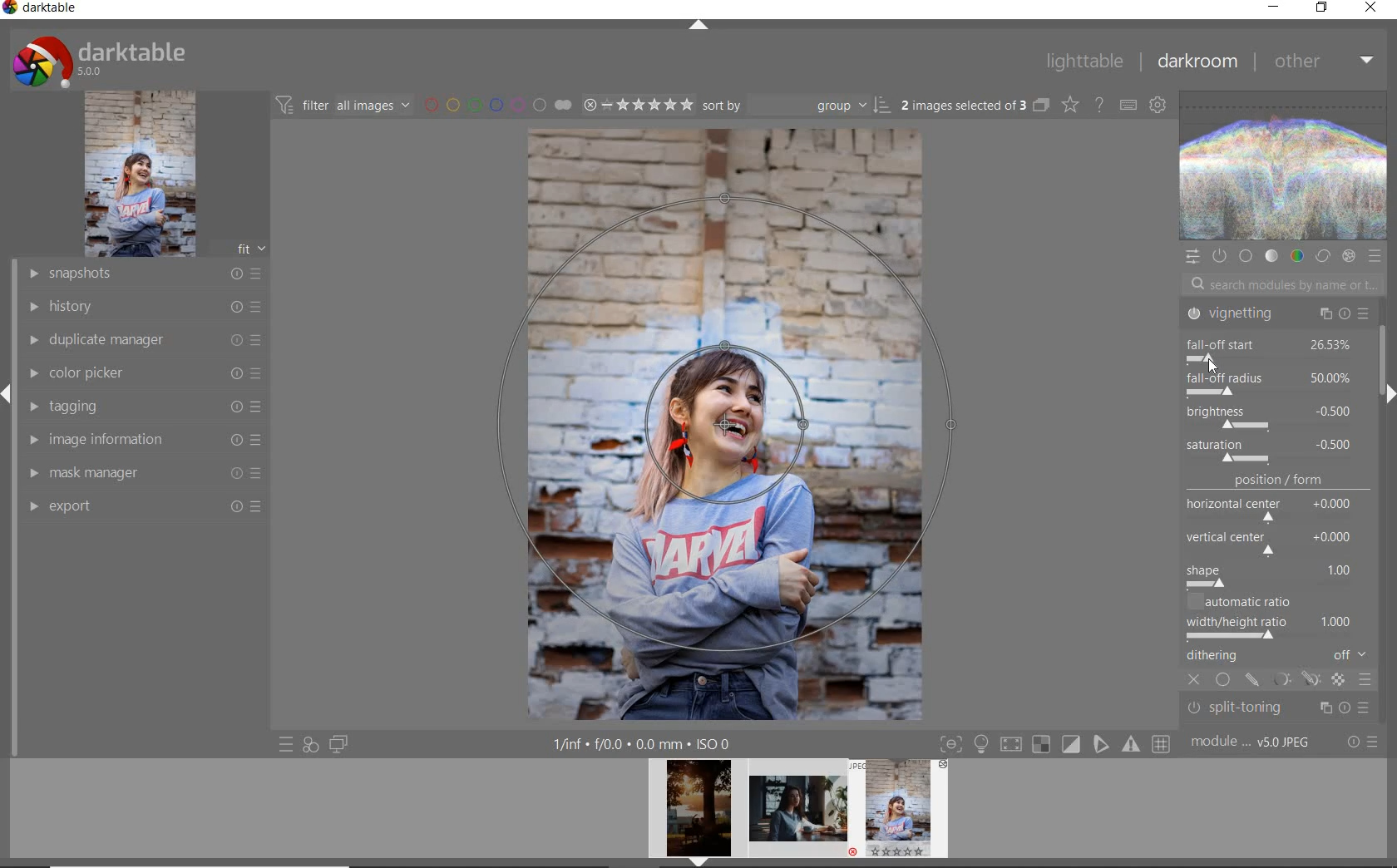  Describe the element at coordinates (1279, 531) in the screenshot. I see `position/form` at that location.